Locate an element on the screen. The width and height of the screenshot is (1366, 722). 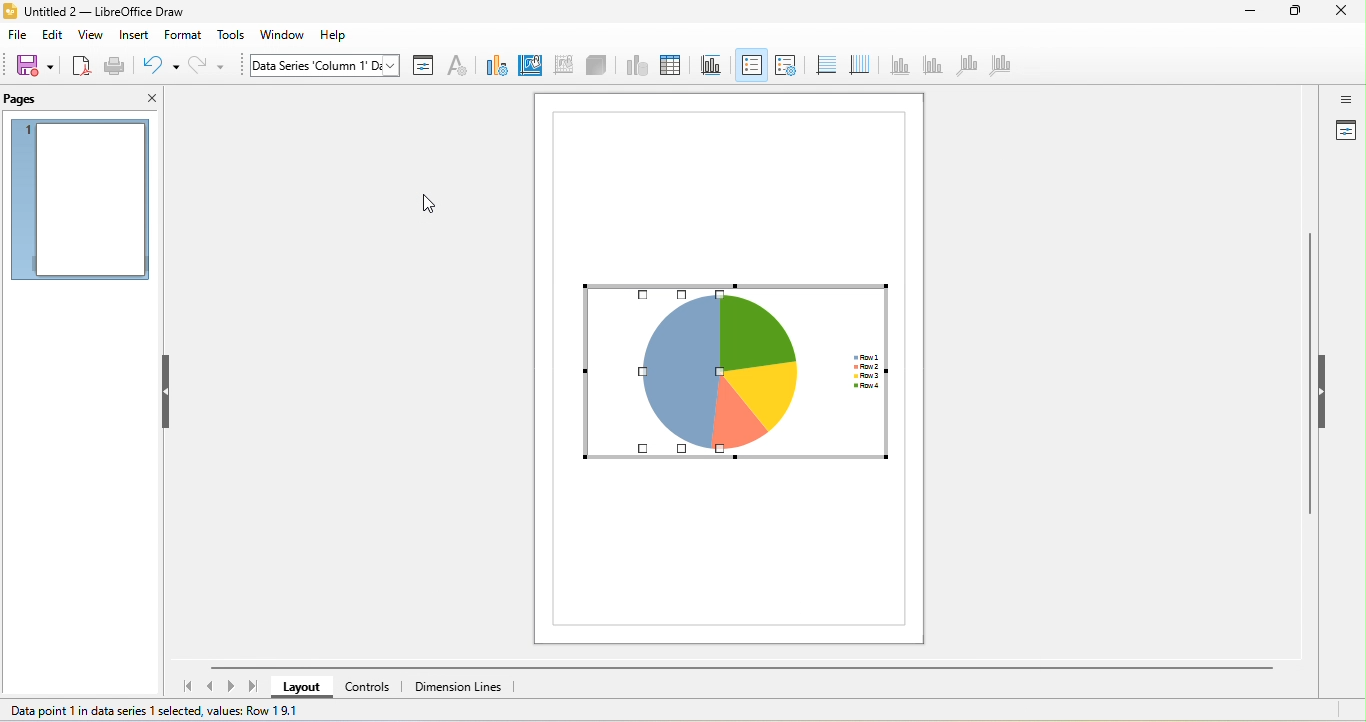
controls is located at coordinates (371, 686).